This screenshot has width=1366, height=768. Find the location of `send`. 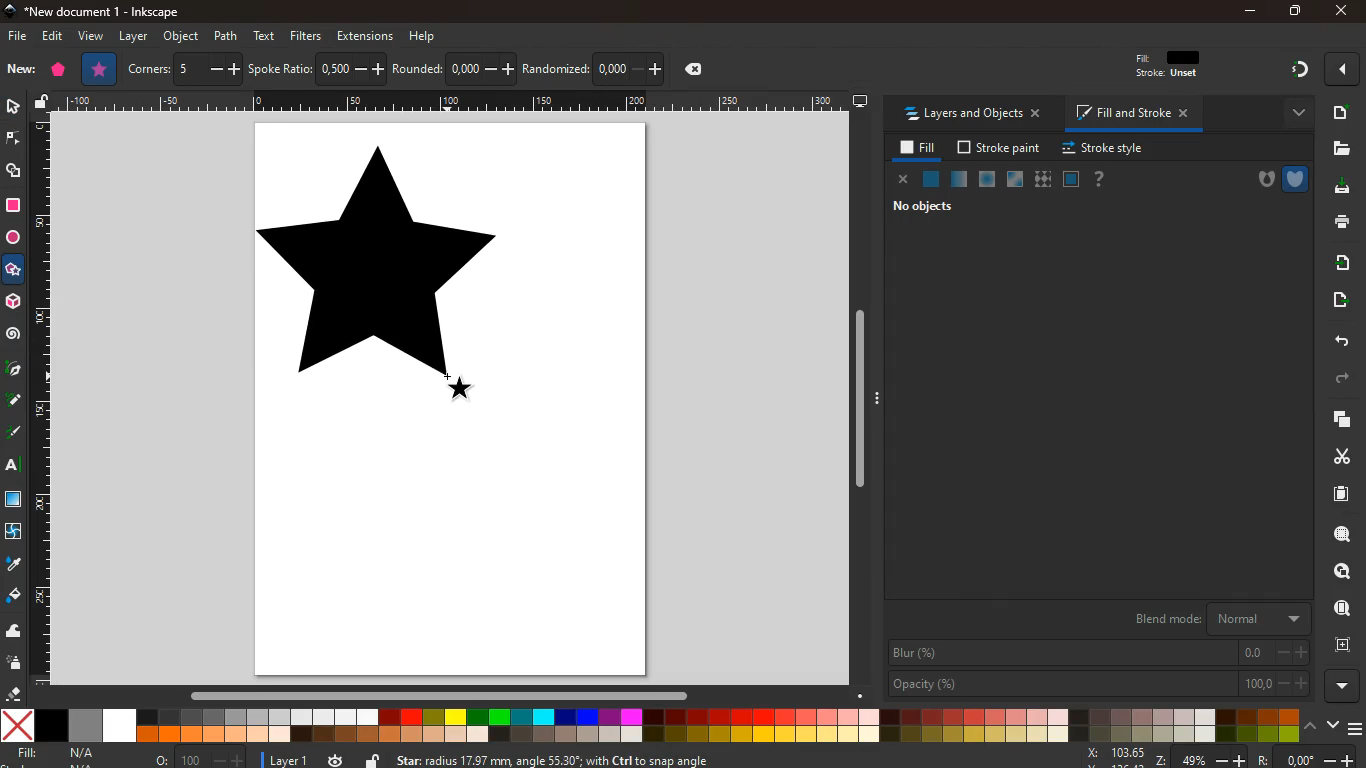

send is located at coordinates (1341, 263).